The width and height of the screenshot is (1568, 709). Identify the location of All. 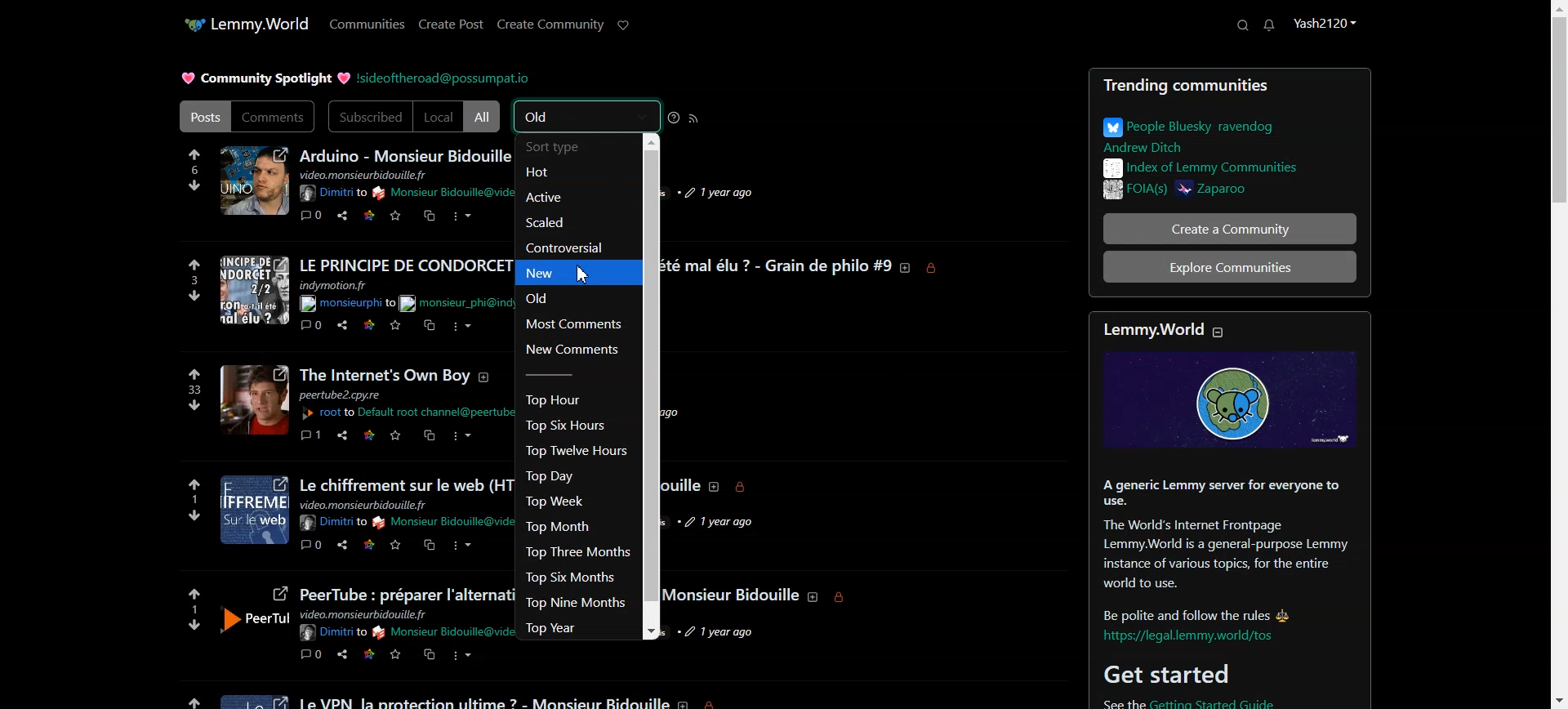
(483, 116).